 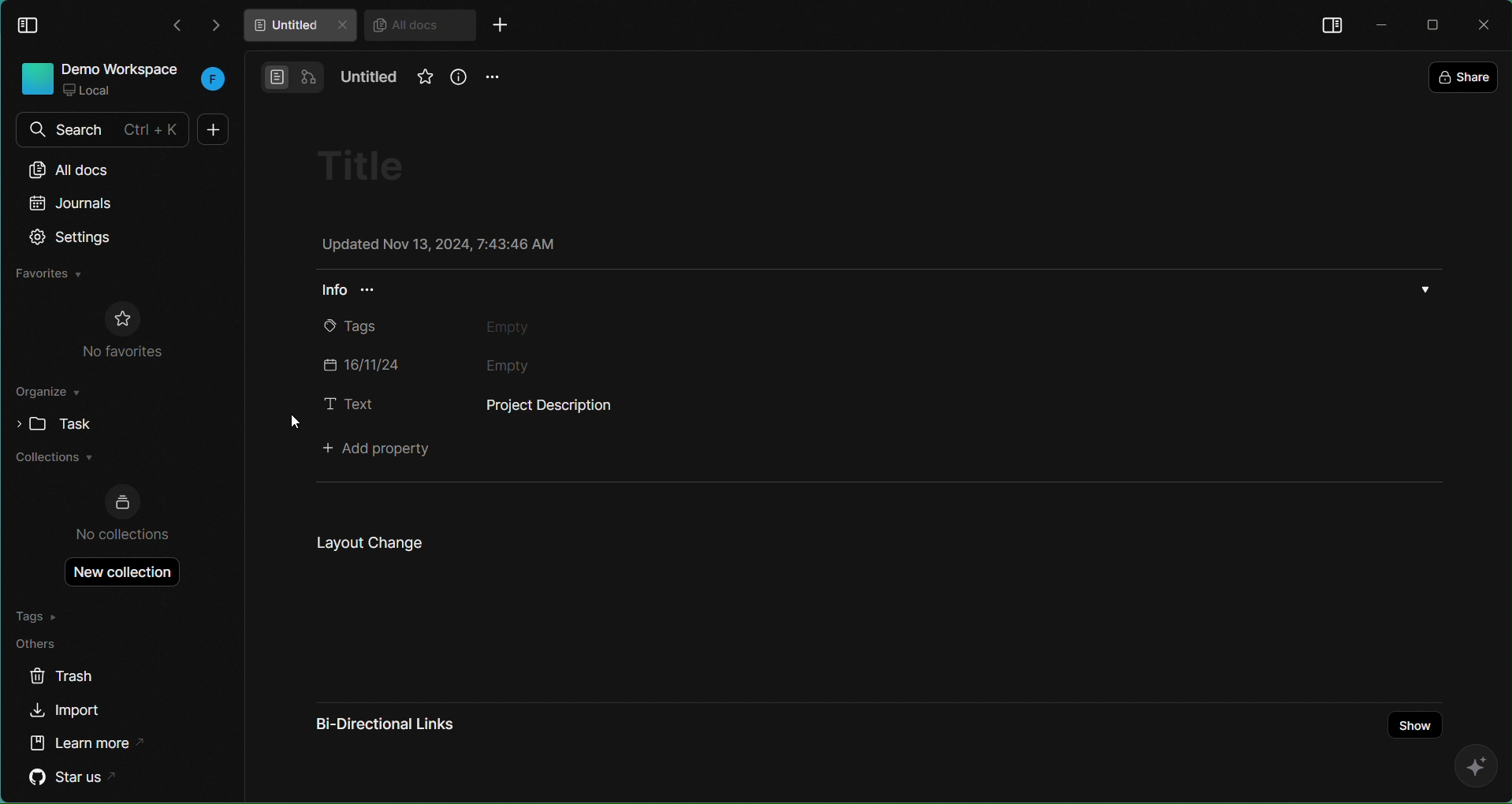 What do you see at coordinates (218, 24) in the screenshot?
I see `>` at bounding box center [218, 24].